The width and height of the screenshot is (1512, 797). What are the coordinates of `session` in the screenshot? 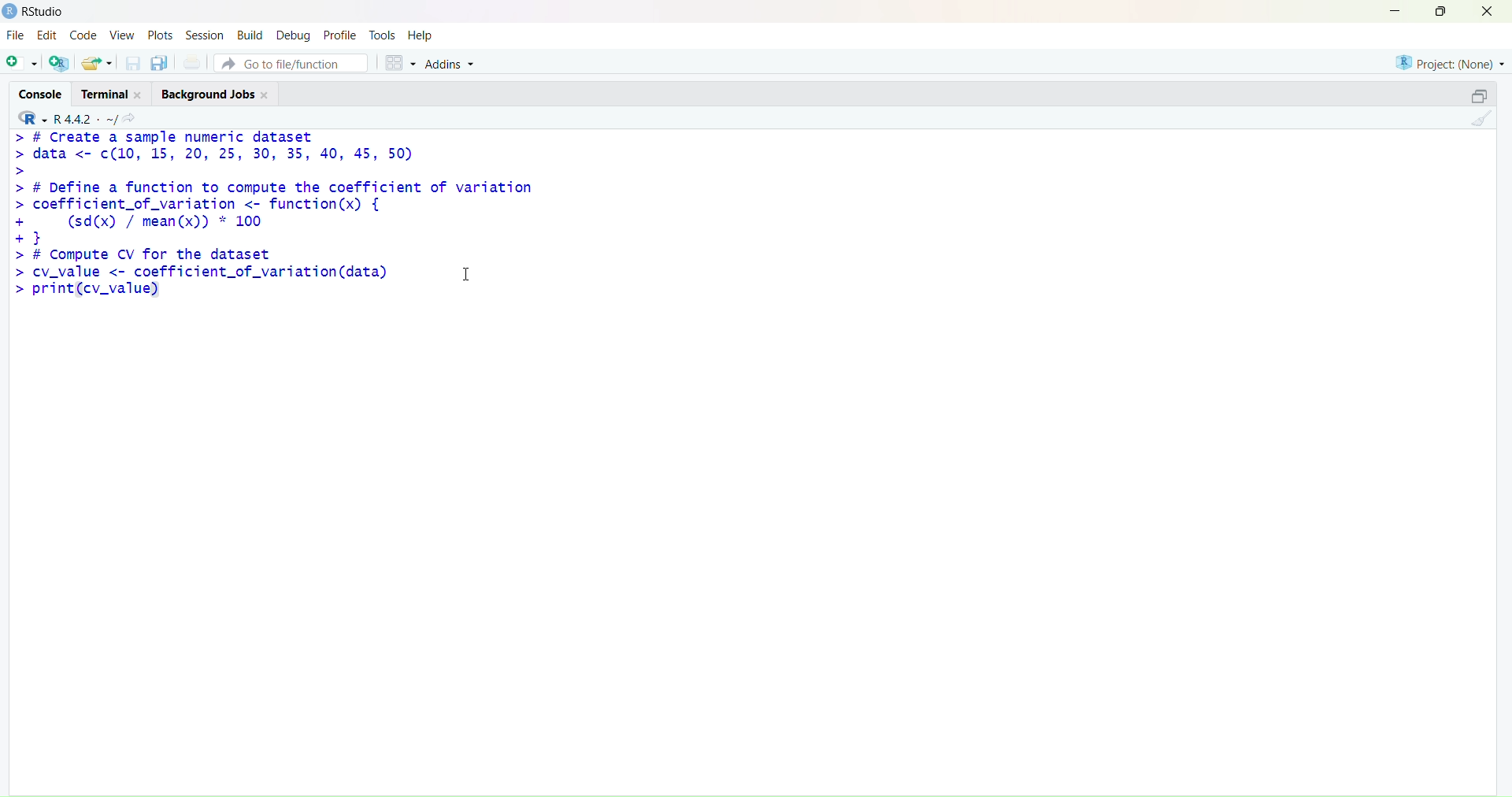 It's located at (205, 35).